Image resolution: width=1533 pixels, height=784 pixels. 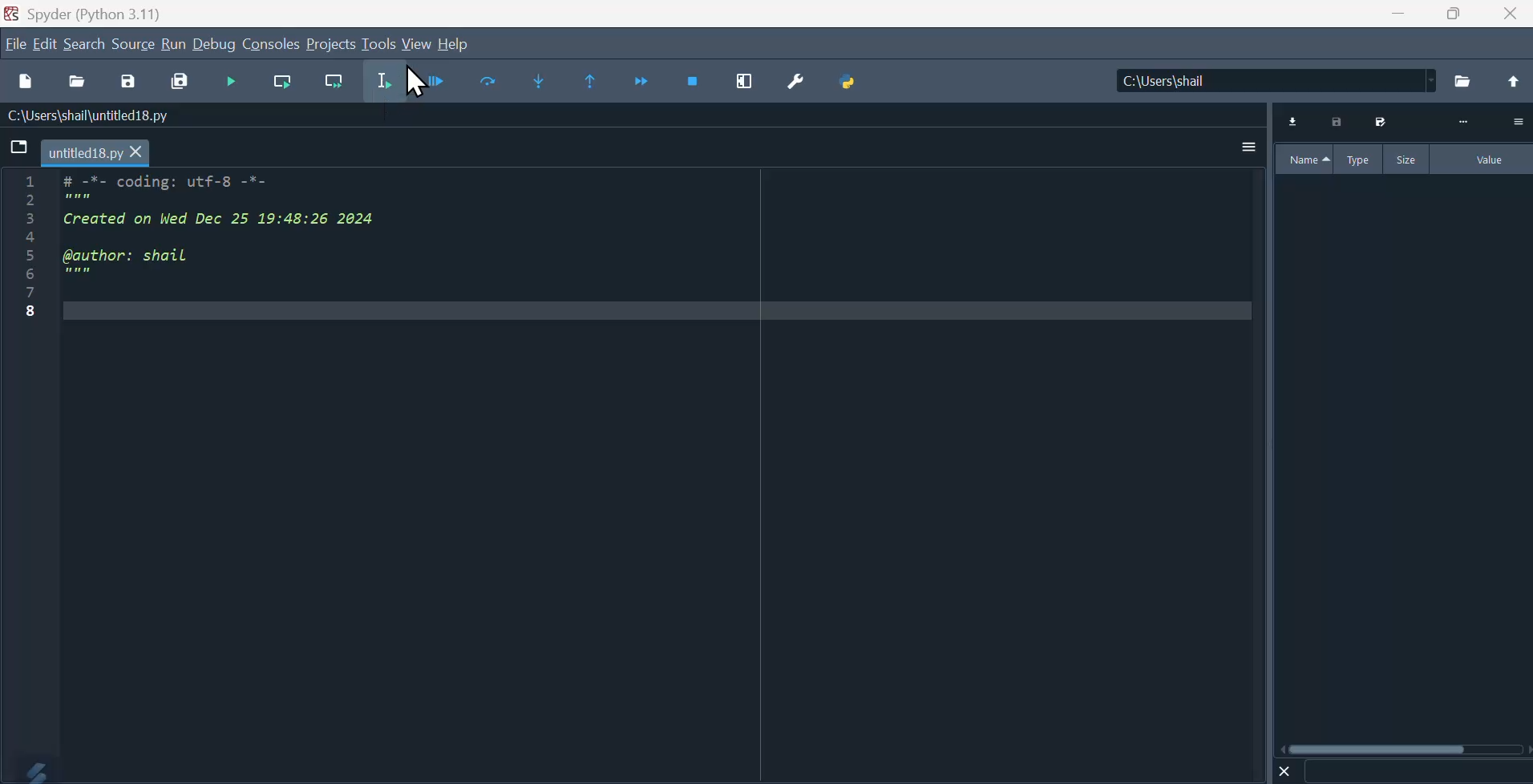 I want to click on Folder, so click(x=1464, y=82).